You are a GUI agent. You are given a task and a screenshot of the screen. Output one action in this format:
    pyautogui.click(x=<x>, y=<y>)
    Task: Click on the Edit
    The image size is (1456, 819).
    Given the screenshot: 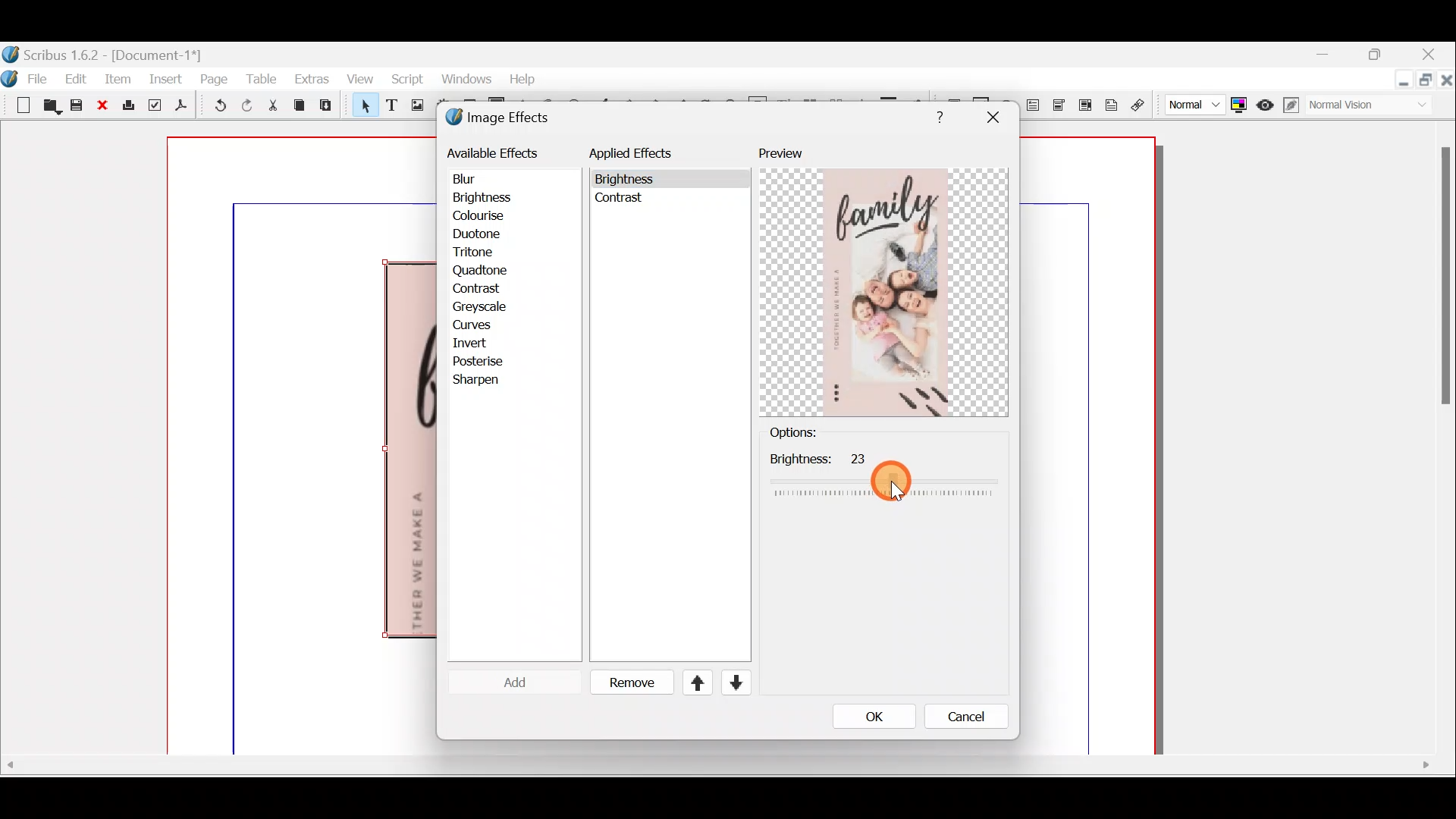 What is the action you would take?
    pyautogui.click(x=78, y=78)
    